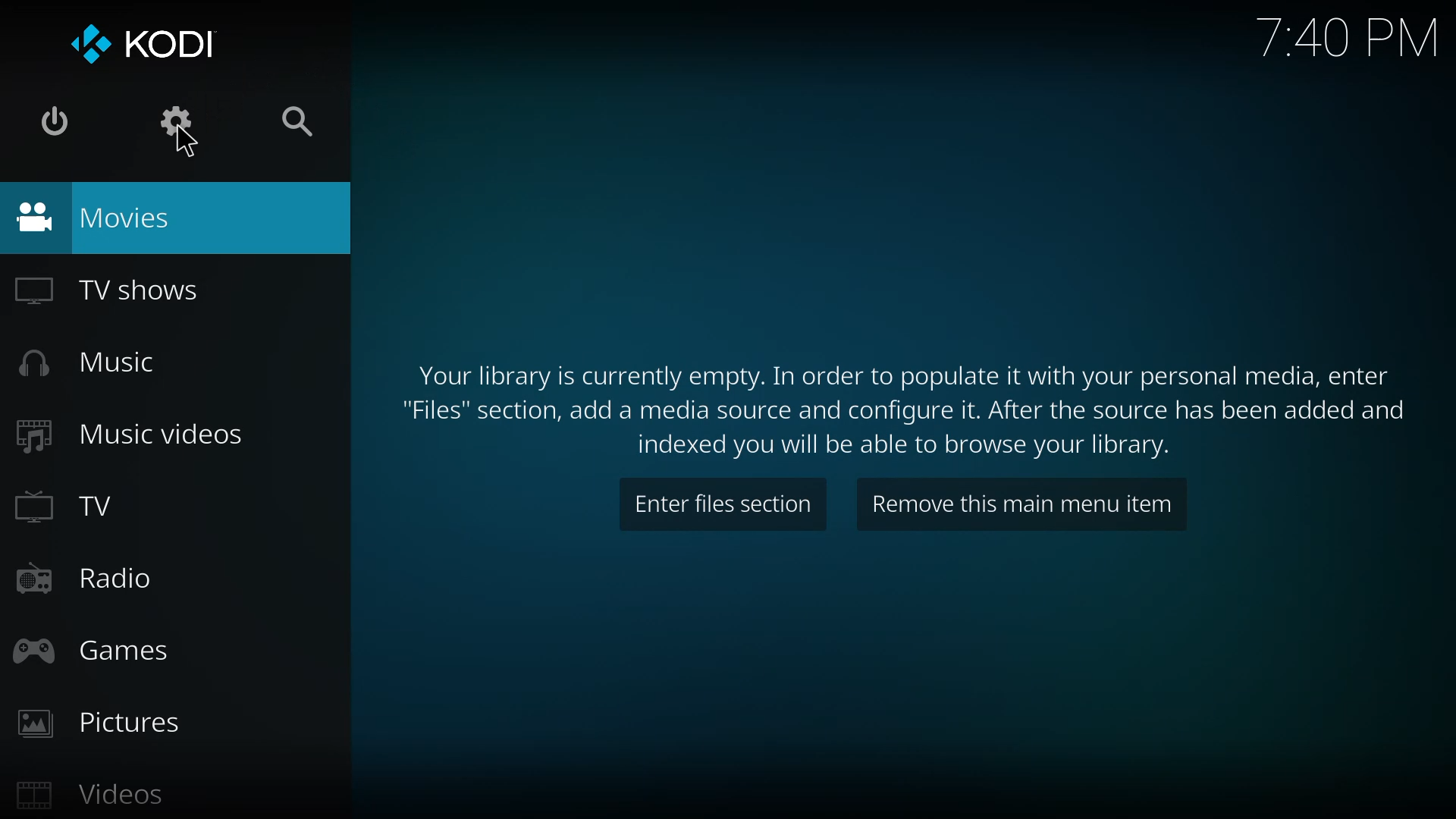 The image size is (1456, 819). What do you see at coordinates (911, 400) in the screenshot?
I see `learn more` at bounding box center [911, 400].